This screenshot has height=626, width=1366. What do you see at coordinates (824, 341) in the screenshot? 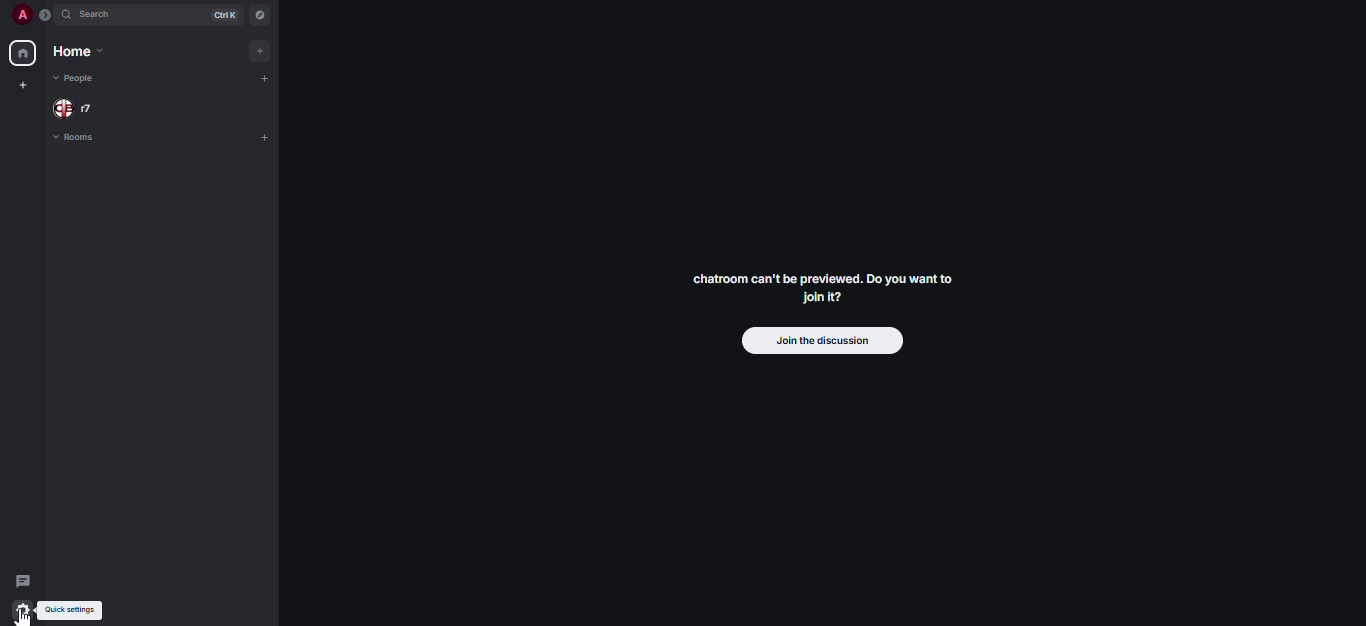
I see `join the discussion` at bounding box center [824, 341].